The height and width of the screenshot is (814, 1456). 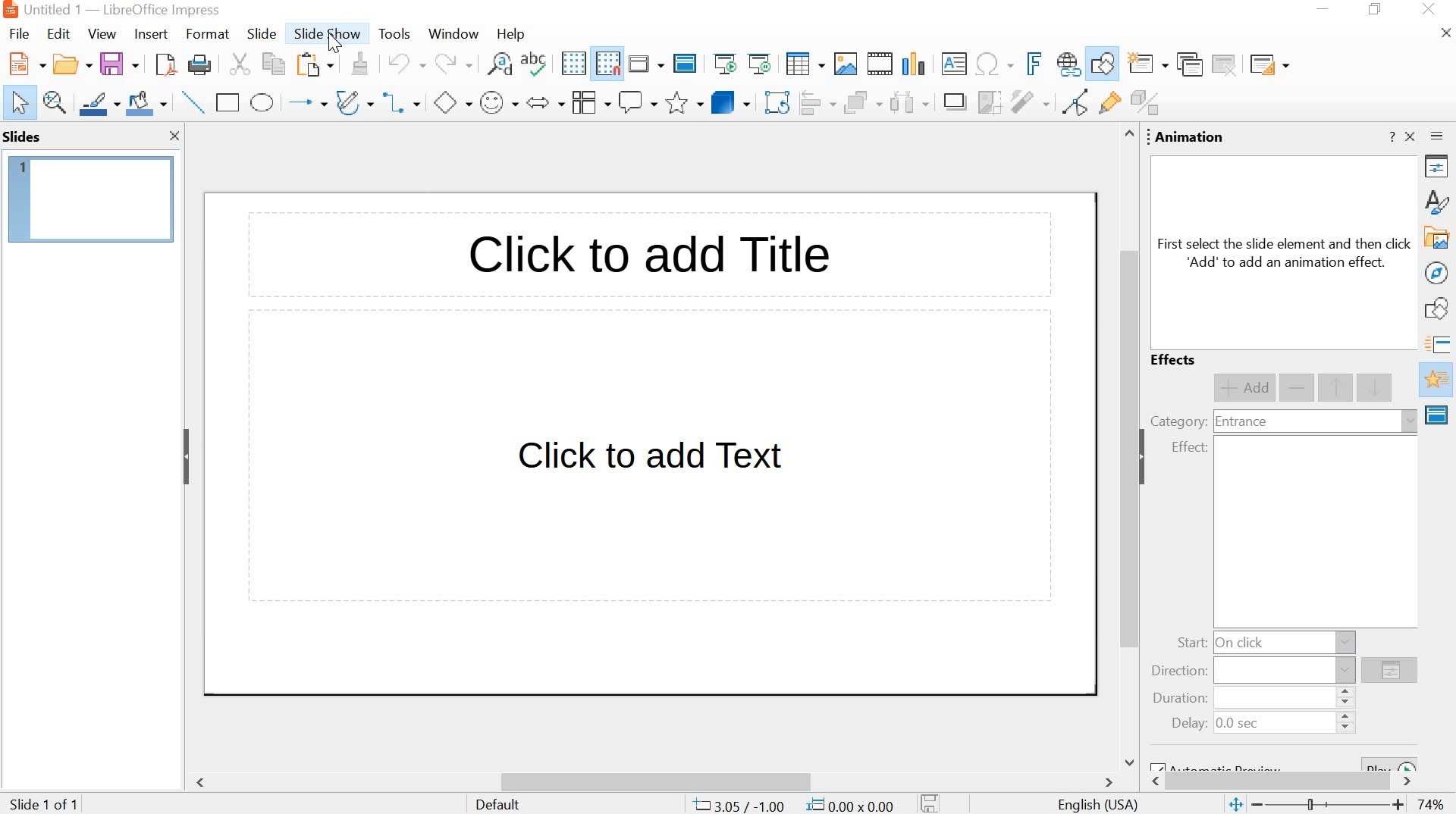 What do you see at coordinates (544, 104) in the screenshot?
I see `block arrows` at bounding box center [544, 104].